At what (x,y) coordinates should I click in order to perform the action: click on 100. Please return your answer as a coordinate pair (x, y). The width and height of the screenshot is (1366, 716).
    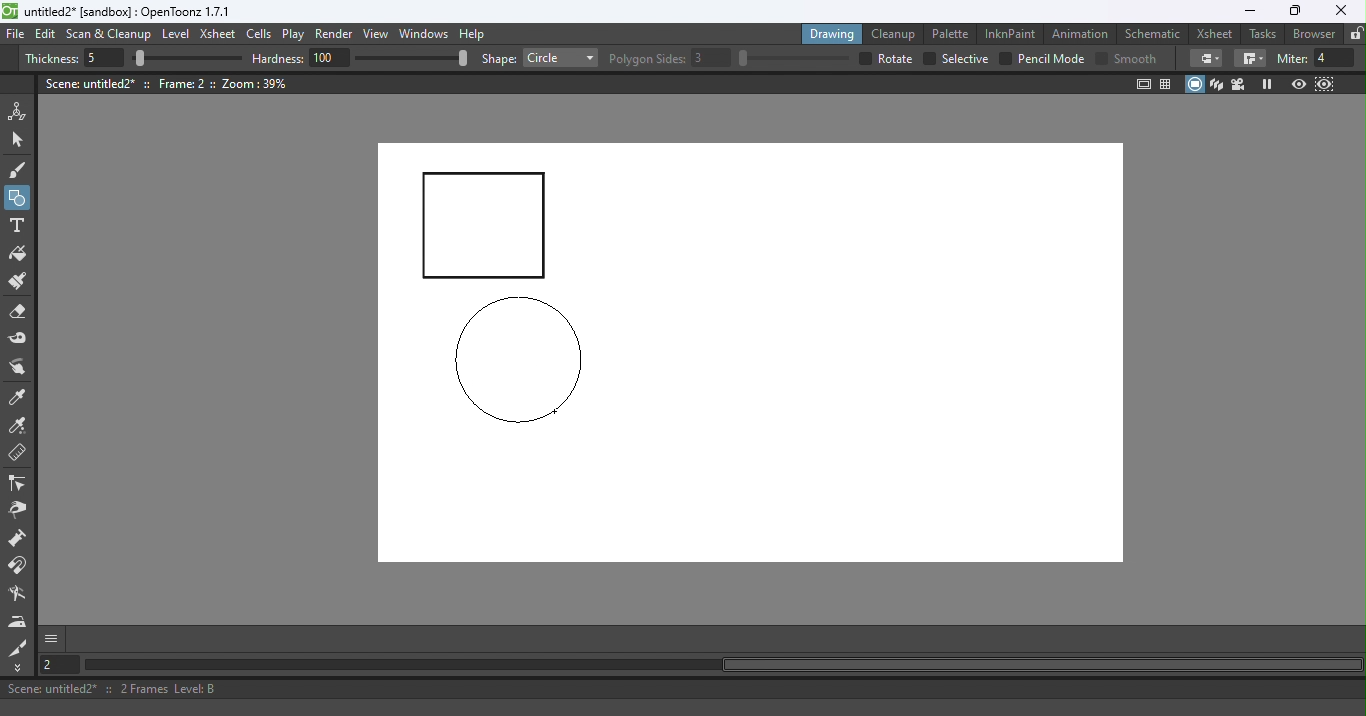
    Looking at the image, I should click on (330, 57).